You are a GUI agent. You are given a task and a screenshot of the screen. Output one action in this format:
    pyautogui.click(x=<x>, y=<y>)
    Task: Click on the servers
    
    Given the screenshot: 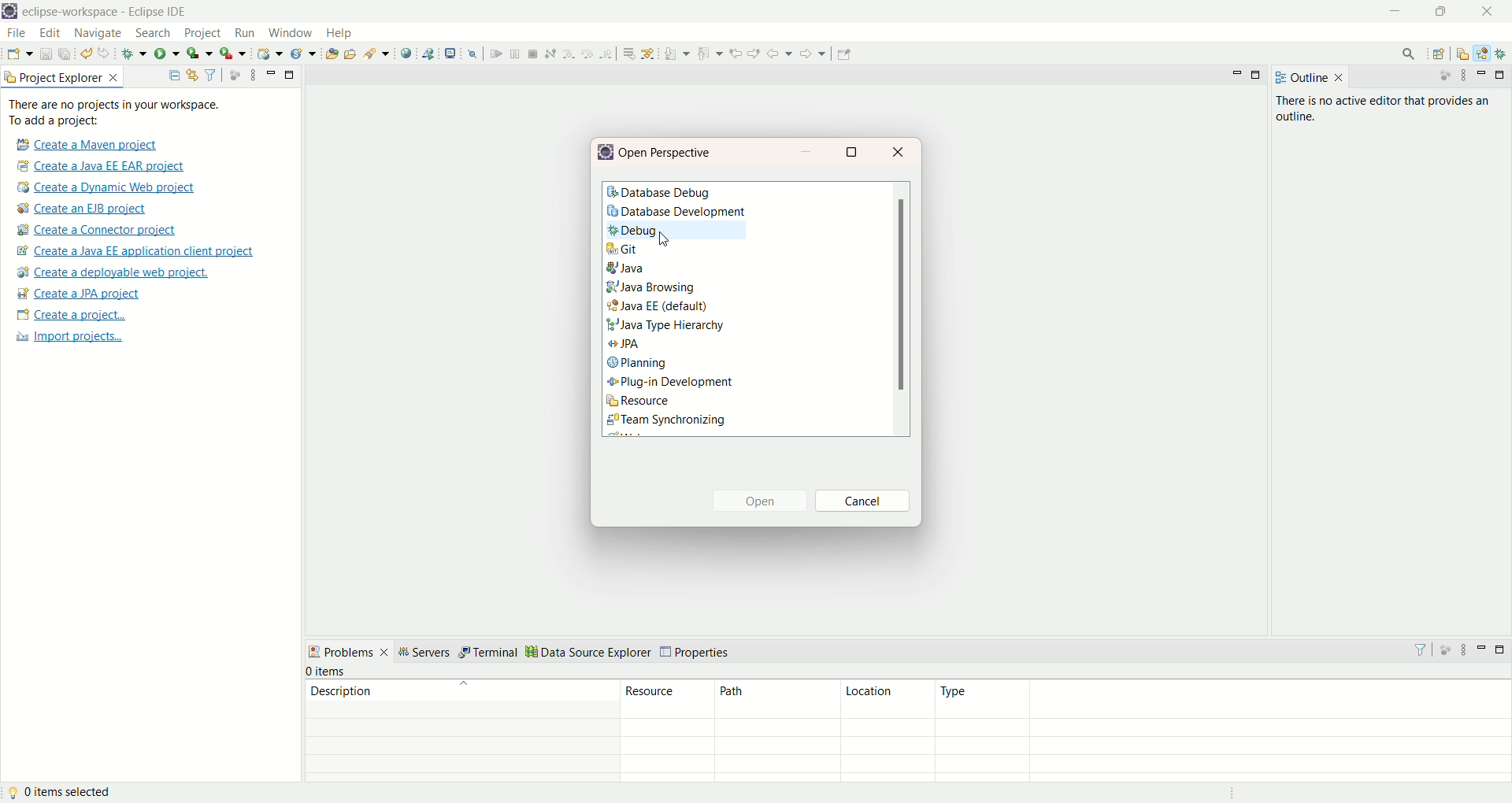 What is the action you would take?
    pyautogui.click(x=428, y=653)
    